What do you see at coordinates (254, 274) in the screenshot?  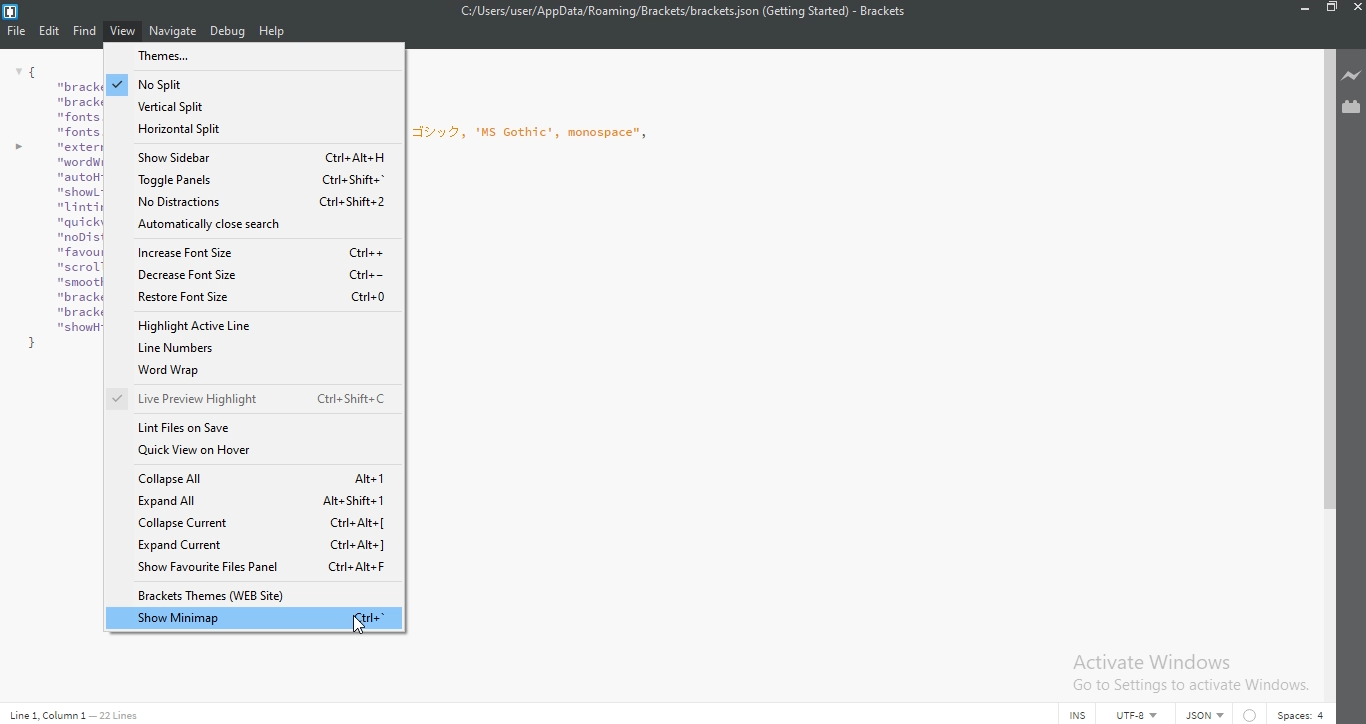 I see `decrease font size` at bounding box center [254, 274].